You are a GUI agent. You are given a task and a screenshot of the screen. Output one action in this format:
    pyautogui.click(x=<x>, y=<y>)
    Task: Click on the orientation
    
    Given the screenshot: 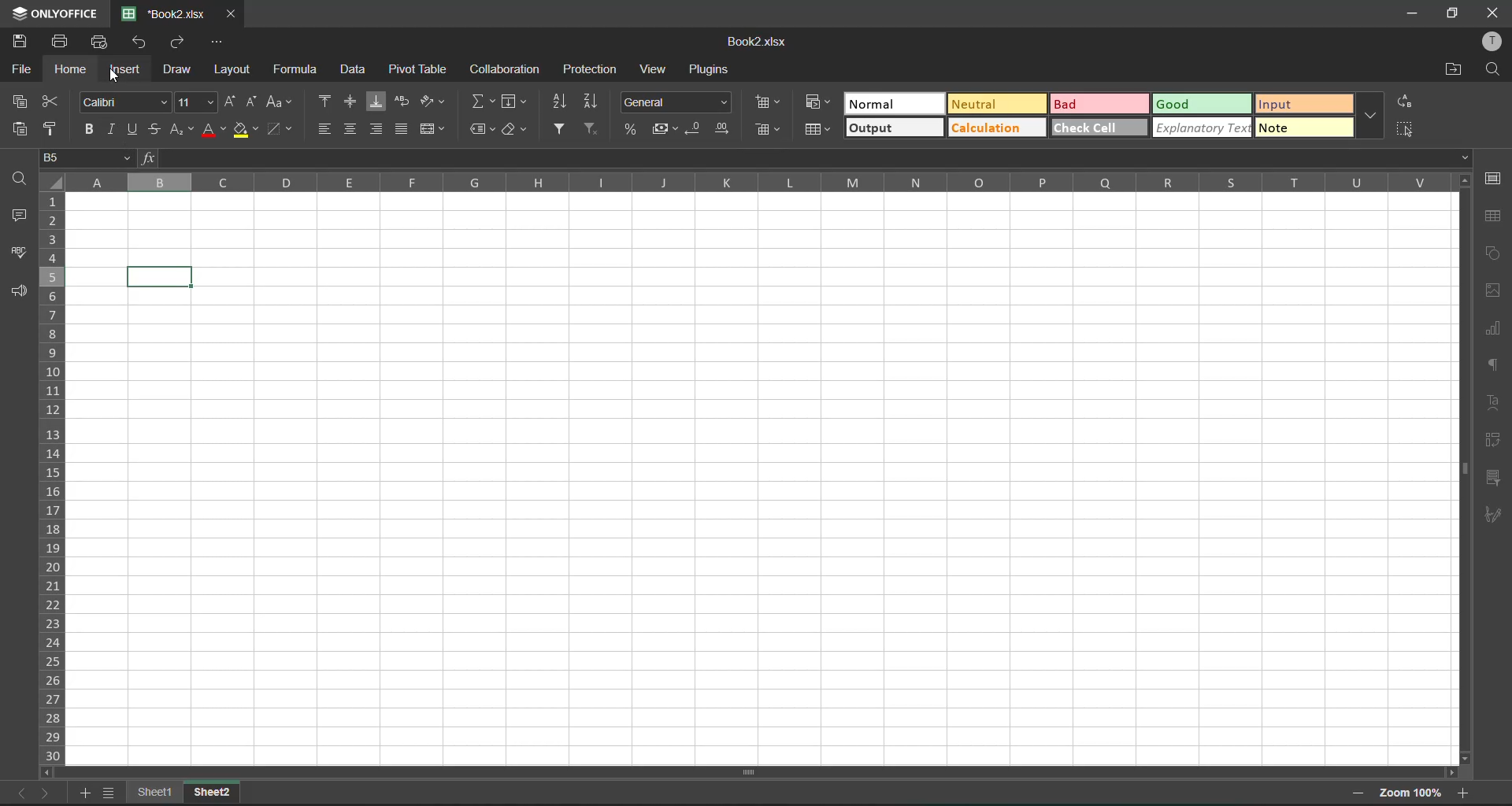 What is the action you would take?
    pyautogui.click(x=431, y=100)
    